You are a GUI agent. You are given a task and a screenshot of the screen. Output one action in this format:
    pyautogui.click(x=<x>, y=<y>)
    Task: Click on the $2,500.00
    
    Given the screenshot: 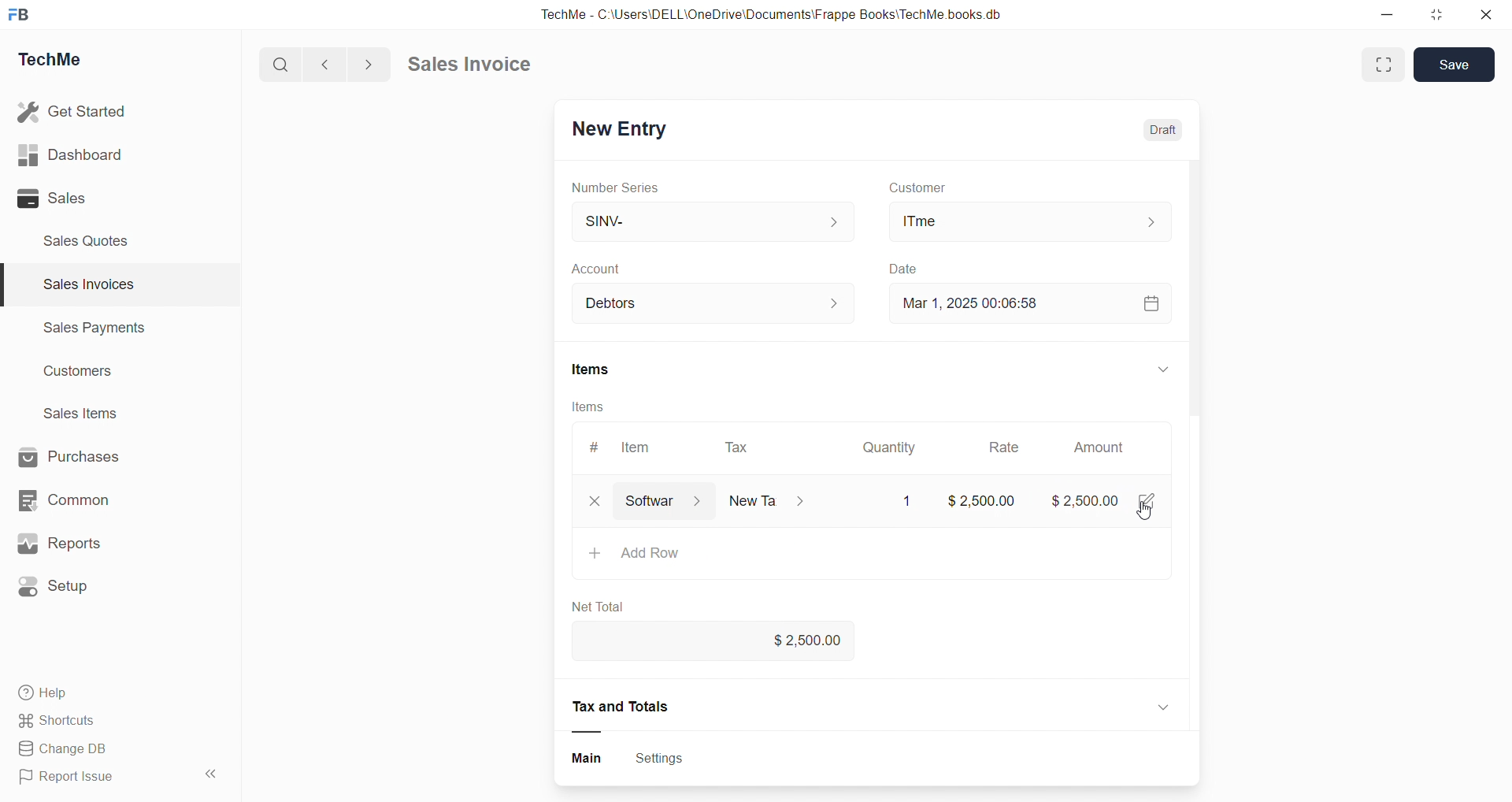 What is the action you would take?
    pyautogui.click(x=813, y=643)
    